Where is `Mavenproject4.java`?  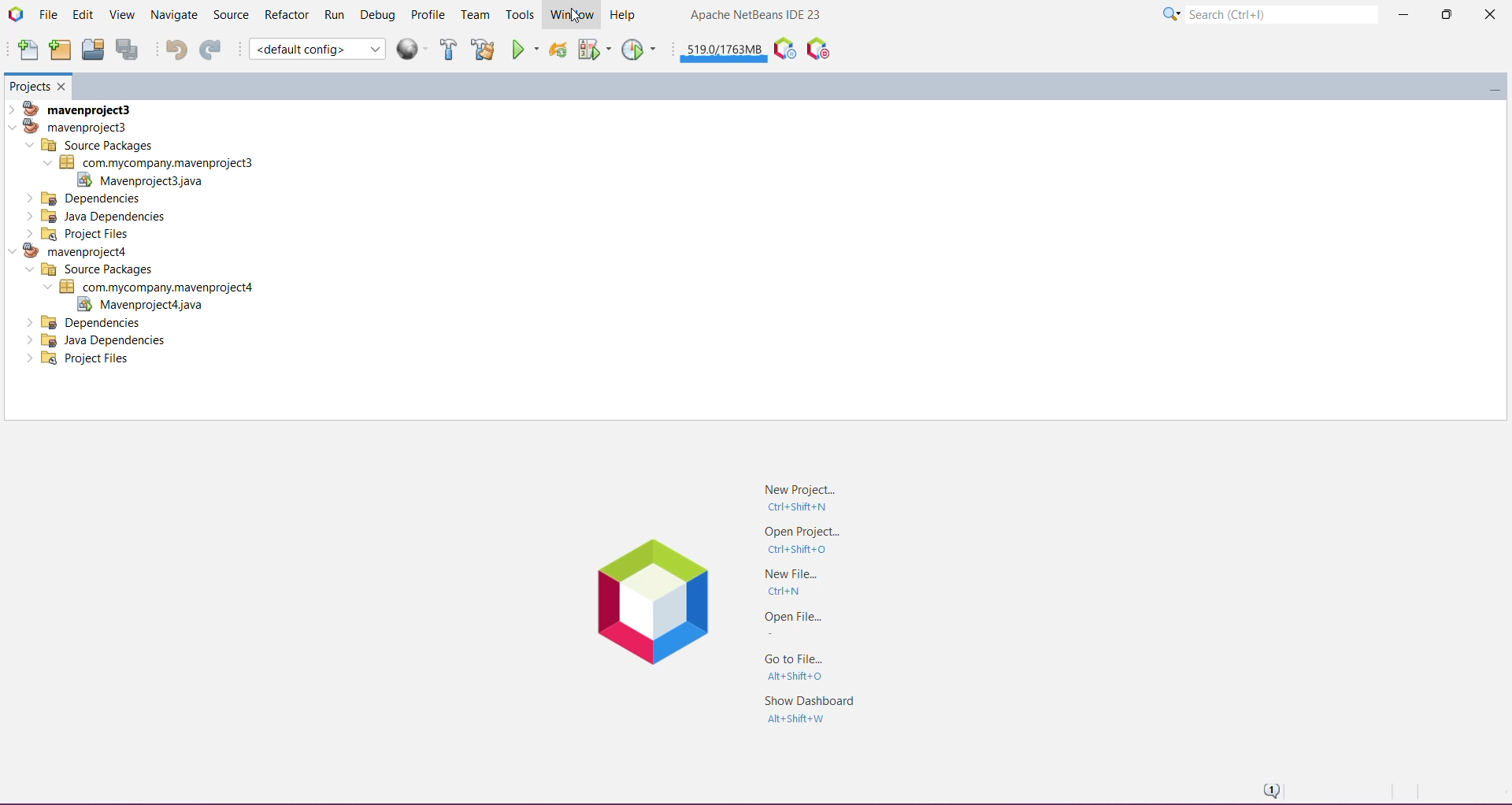 Mavenproject4.java is located at coordinates (138, 305).